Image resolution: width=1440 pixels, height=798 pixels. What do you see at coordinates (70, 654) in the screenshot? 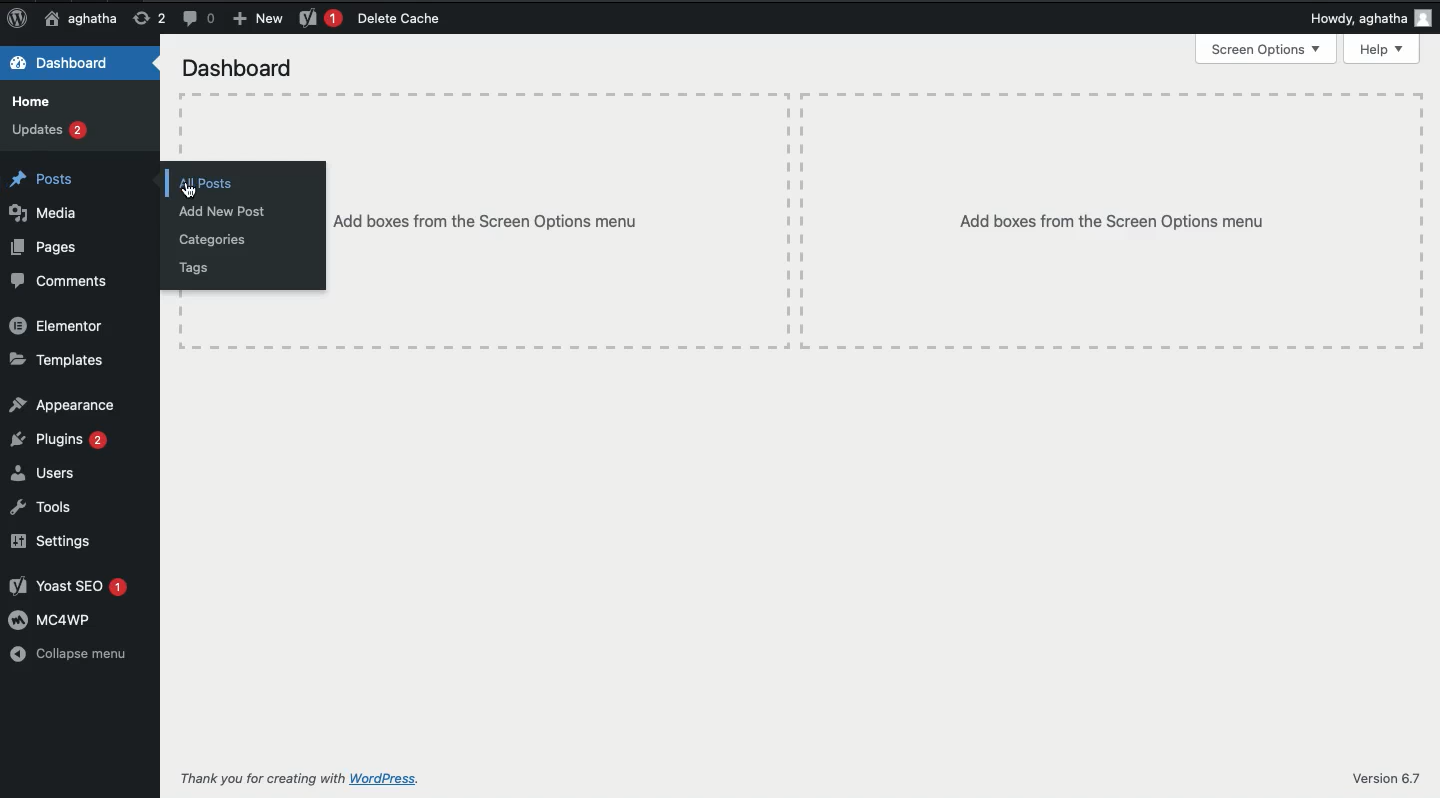
I see `Collapse menu` at bounding box center [70, 654].